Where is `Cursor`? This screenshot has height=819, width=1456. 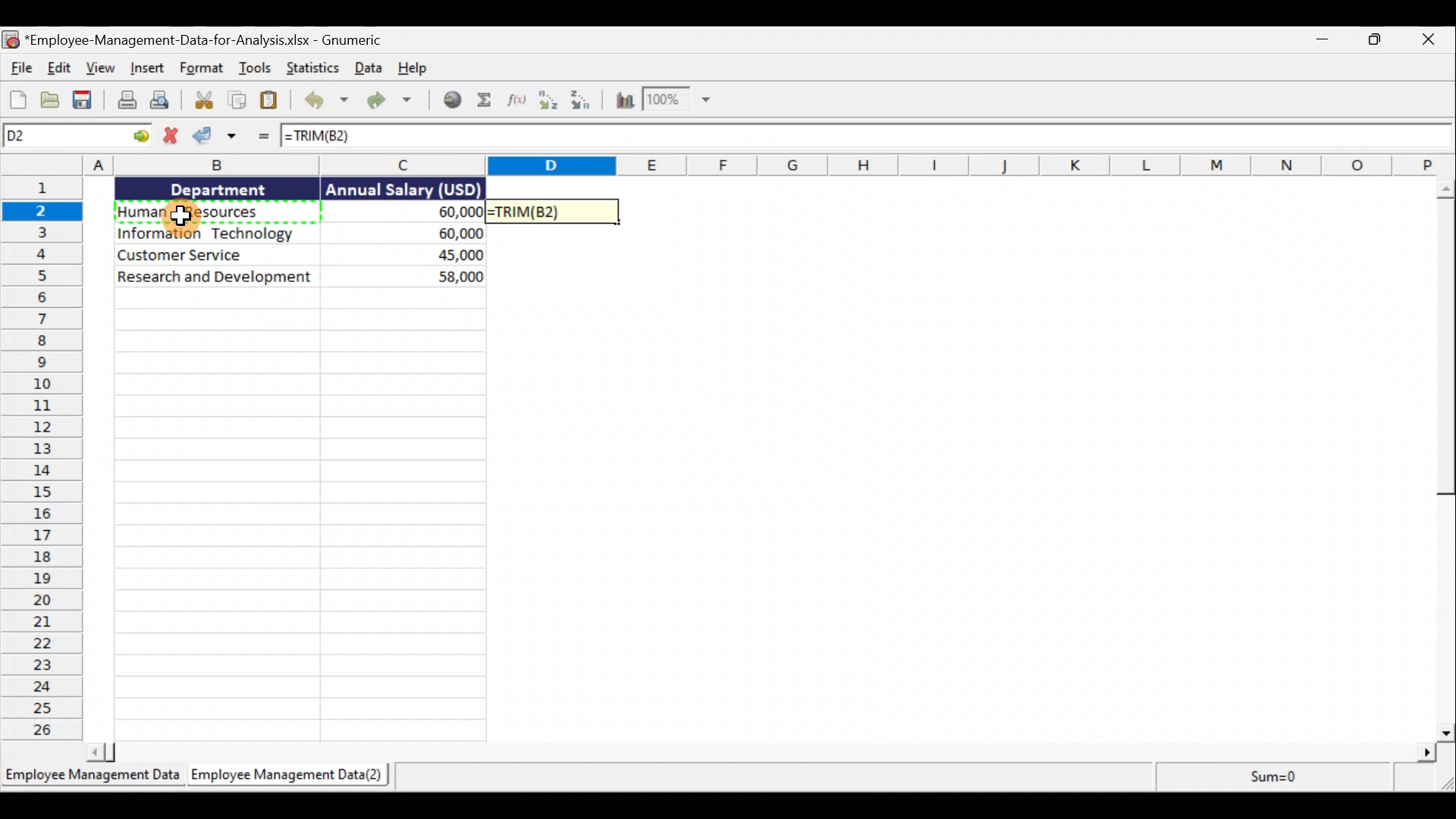
Cursor is located at coordinates (184, 218).